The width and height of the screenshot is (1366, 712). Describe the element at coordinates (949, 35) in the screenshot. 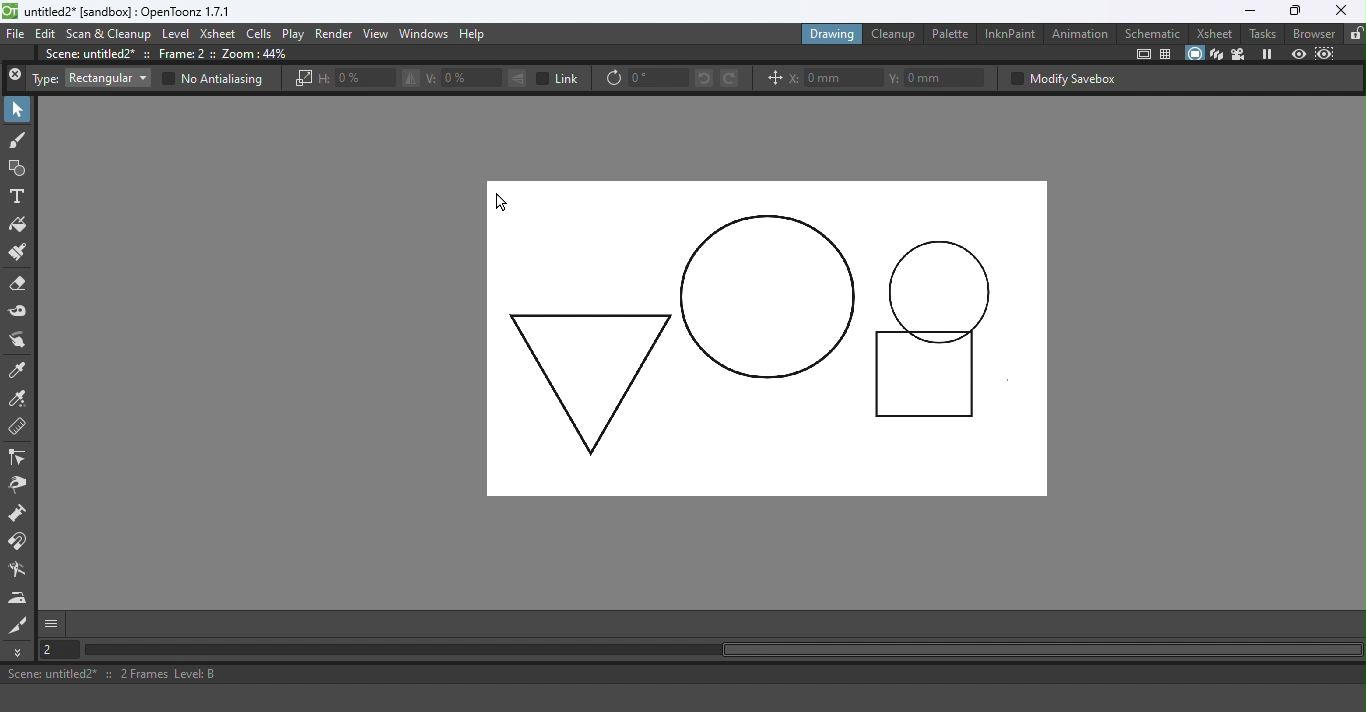

I see `Palette` at that location.